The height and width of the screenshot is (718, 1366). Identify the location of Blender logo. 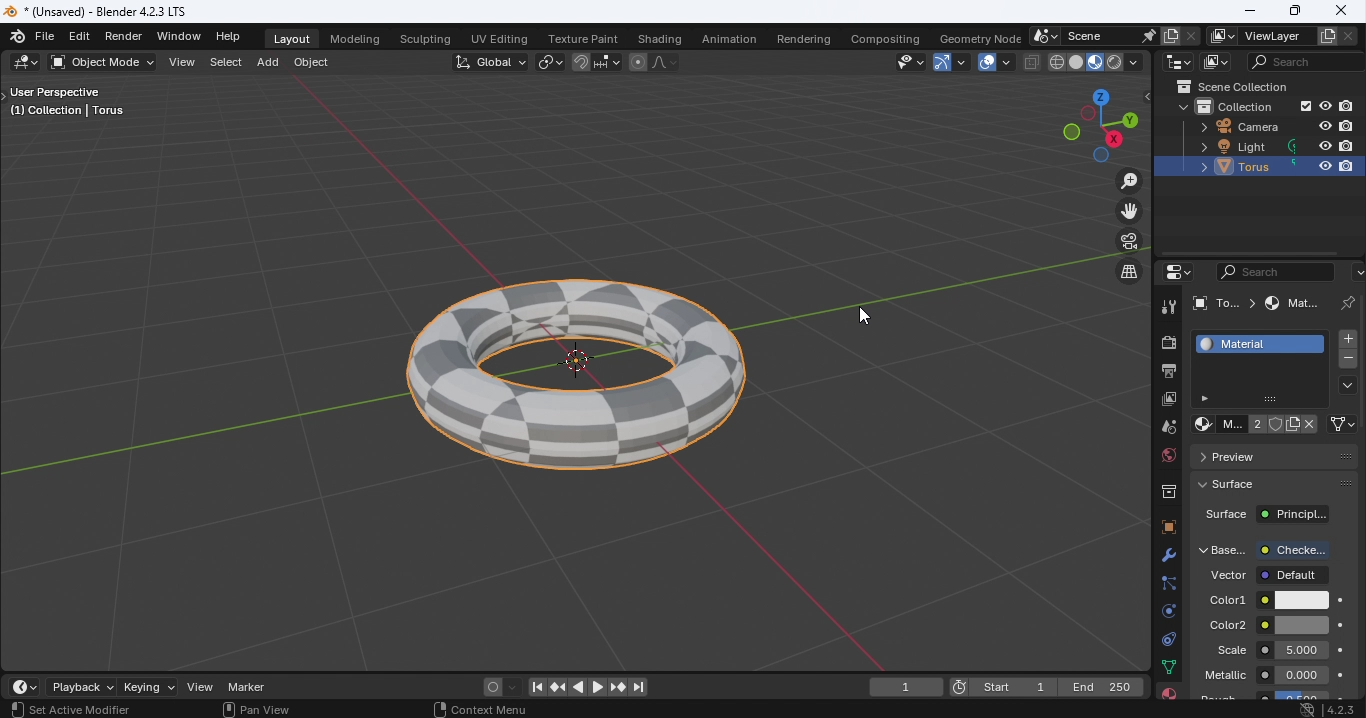
(16, 36).